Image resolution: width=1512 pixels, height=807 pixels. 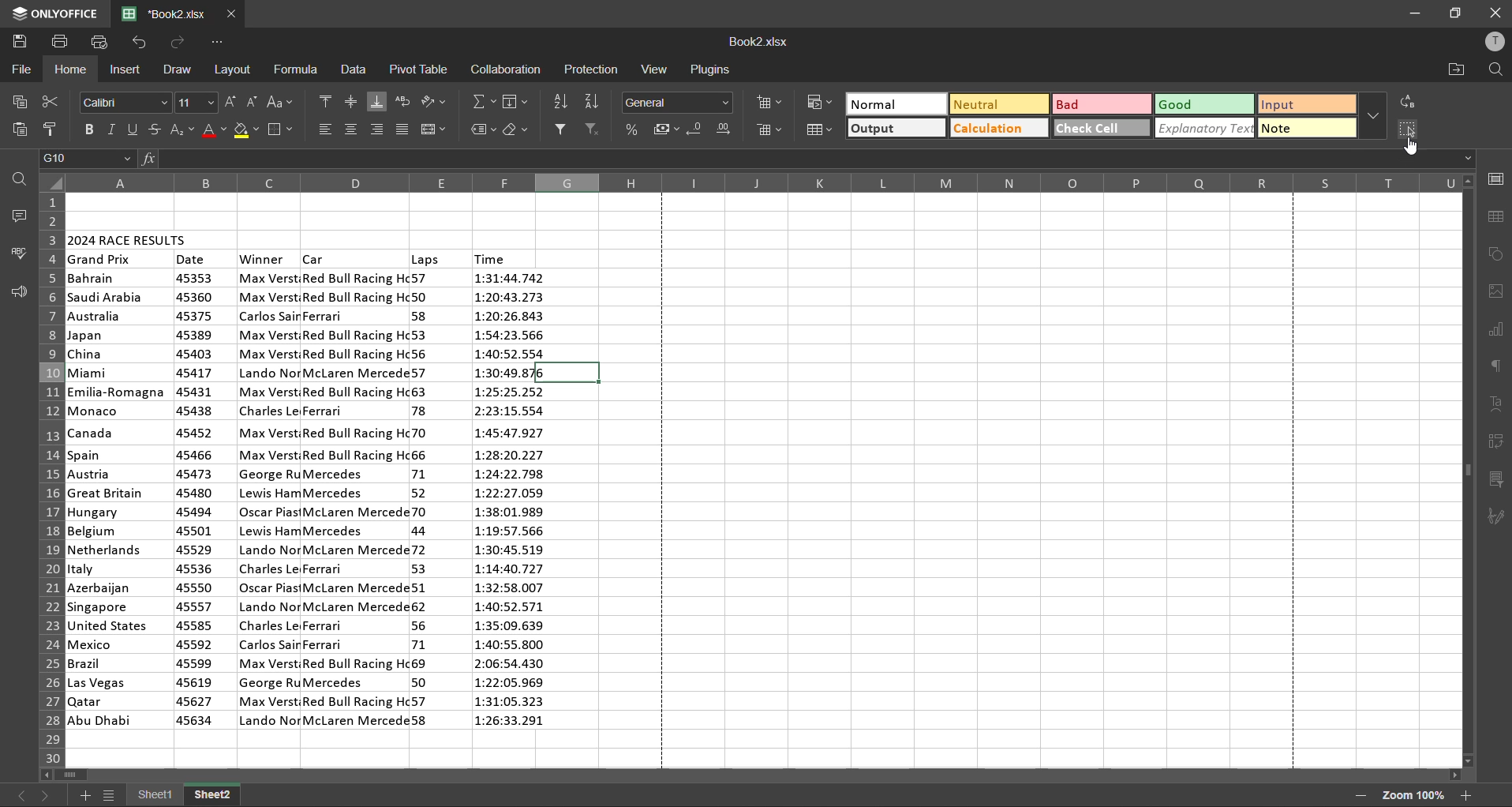 What do you see at coordinates (184, 131) in the screenshot?
I see `sub/superscript` at bounding box center [184, 131].